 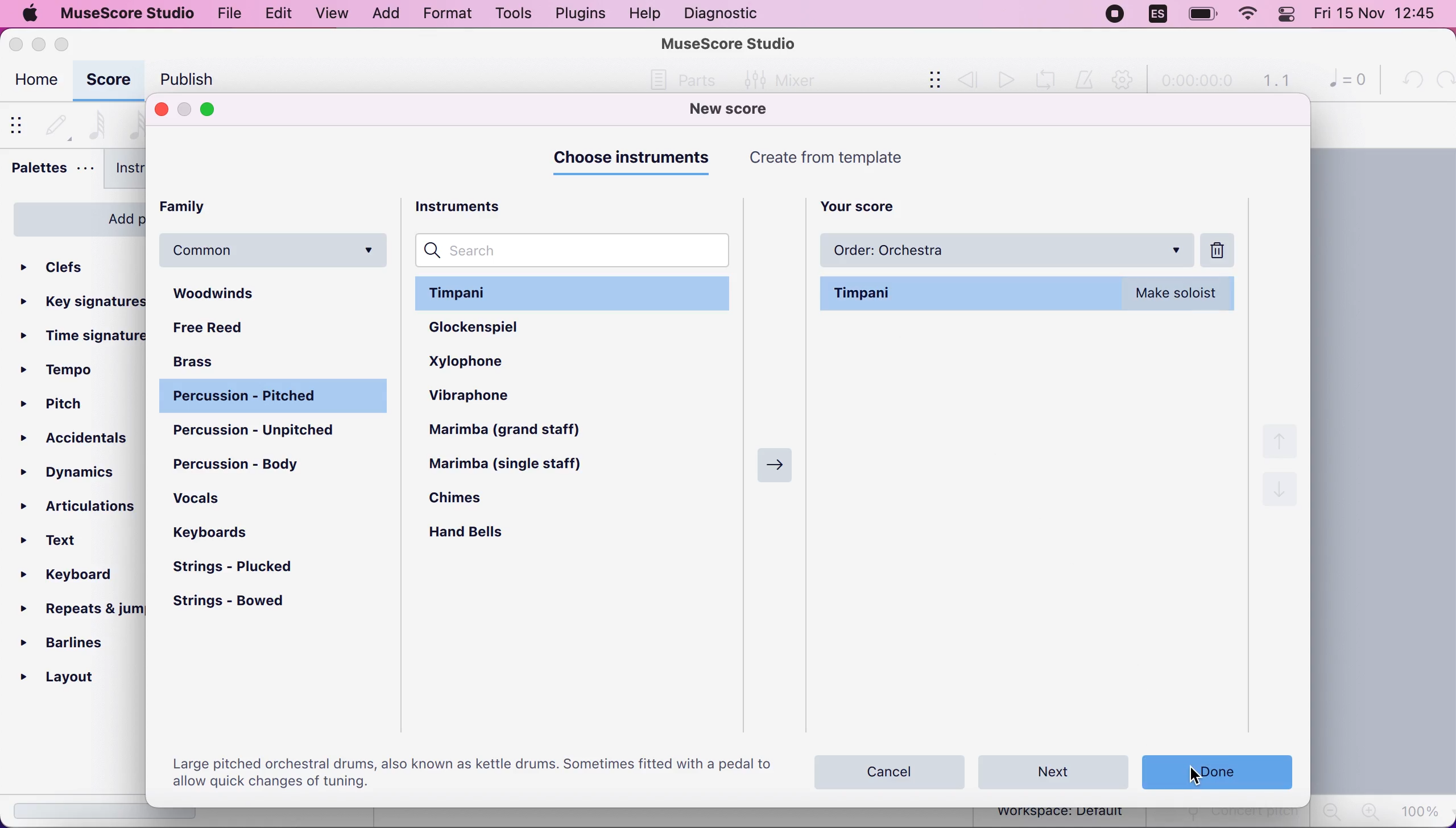 I want to click on zoom out, so click(x=1330, y=812).